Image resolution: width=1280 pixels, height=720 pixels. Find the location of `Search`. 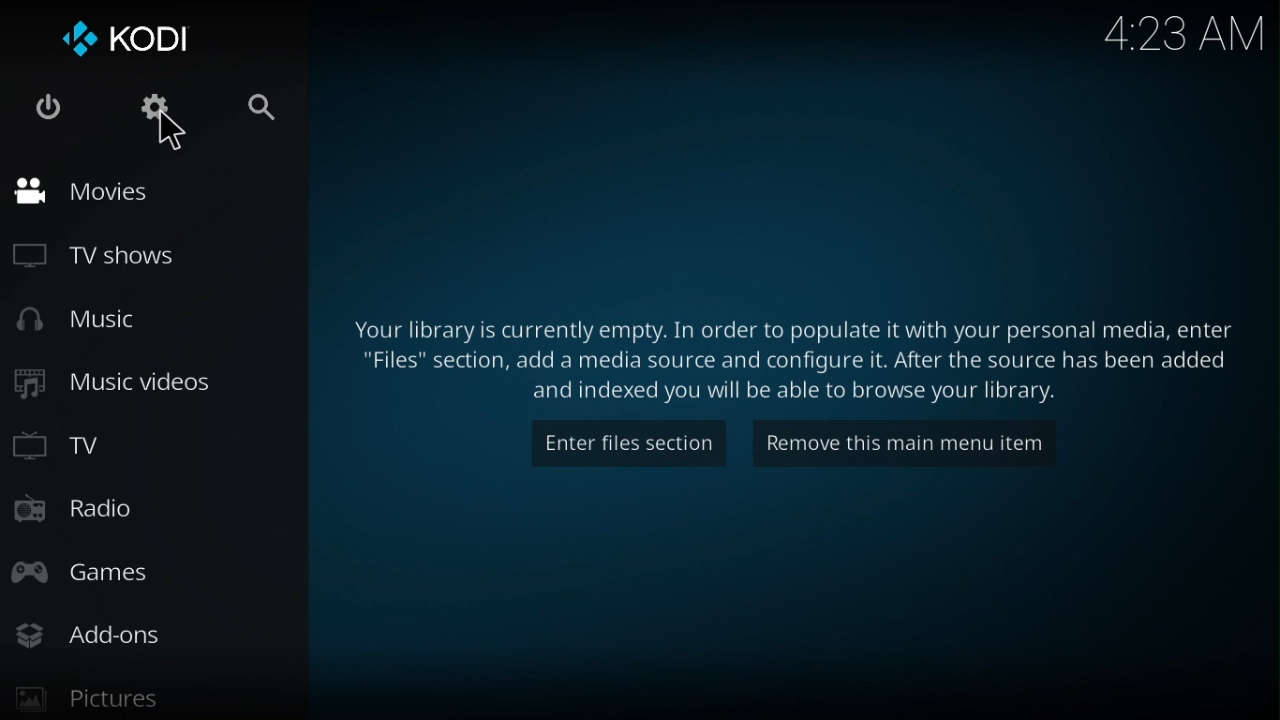

Search is located at coordinates (267, 107).